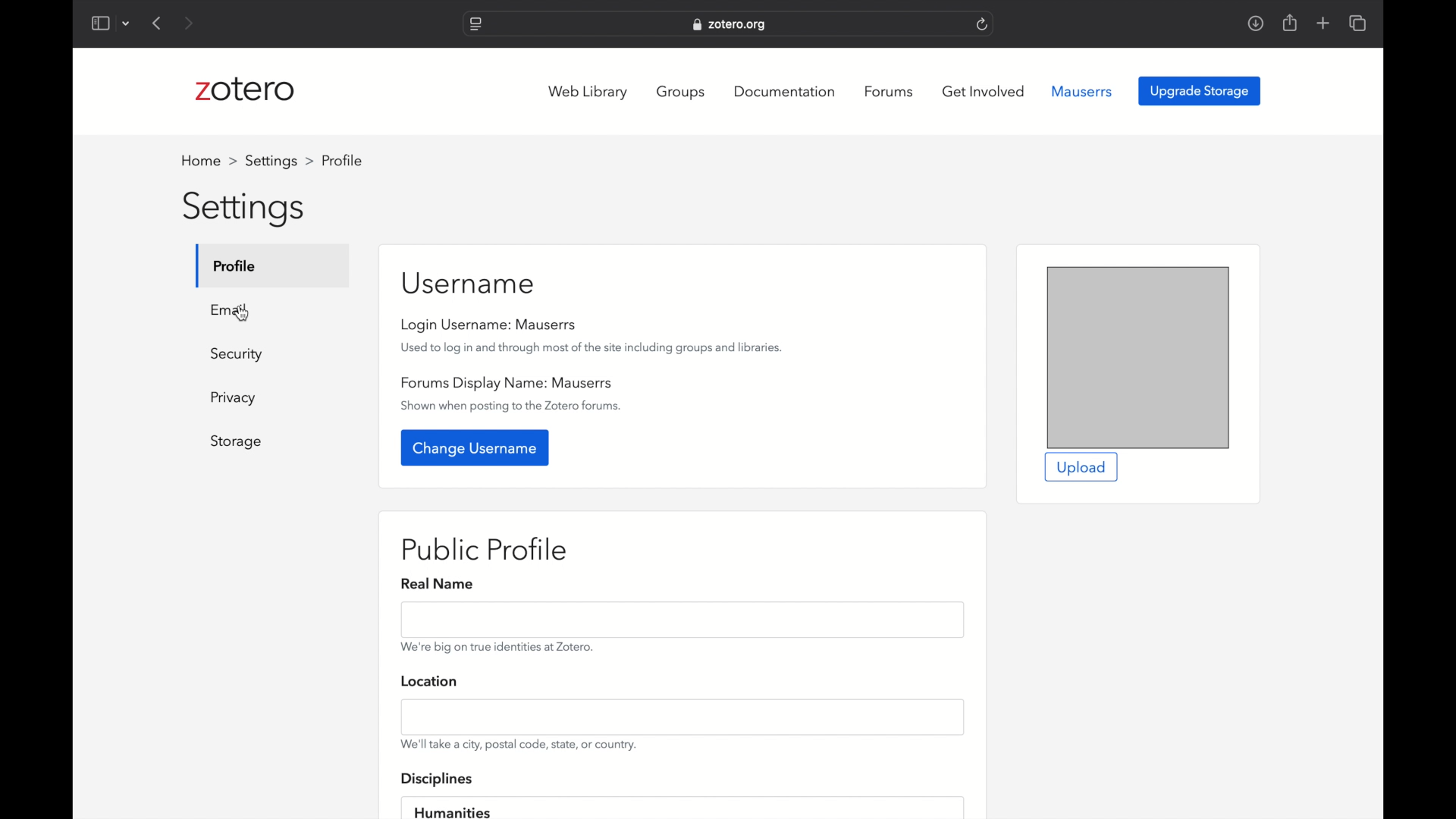 This screenshot has height=819, width=1456. I want to click on cursor, so click(240, 314).